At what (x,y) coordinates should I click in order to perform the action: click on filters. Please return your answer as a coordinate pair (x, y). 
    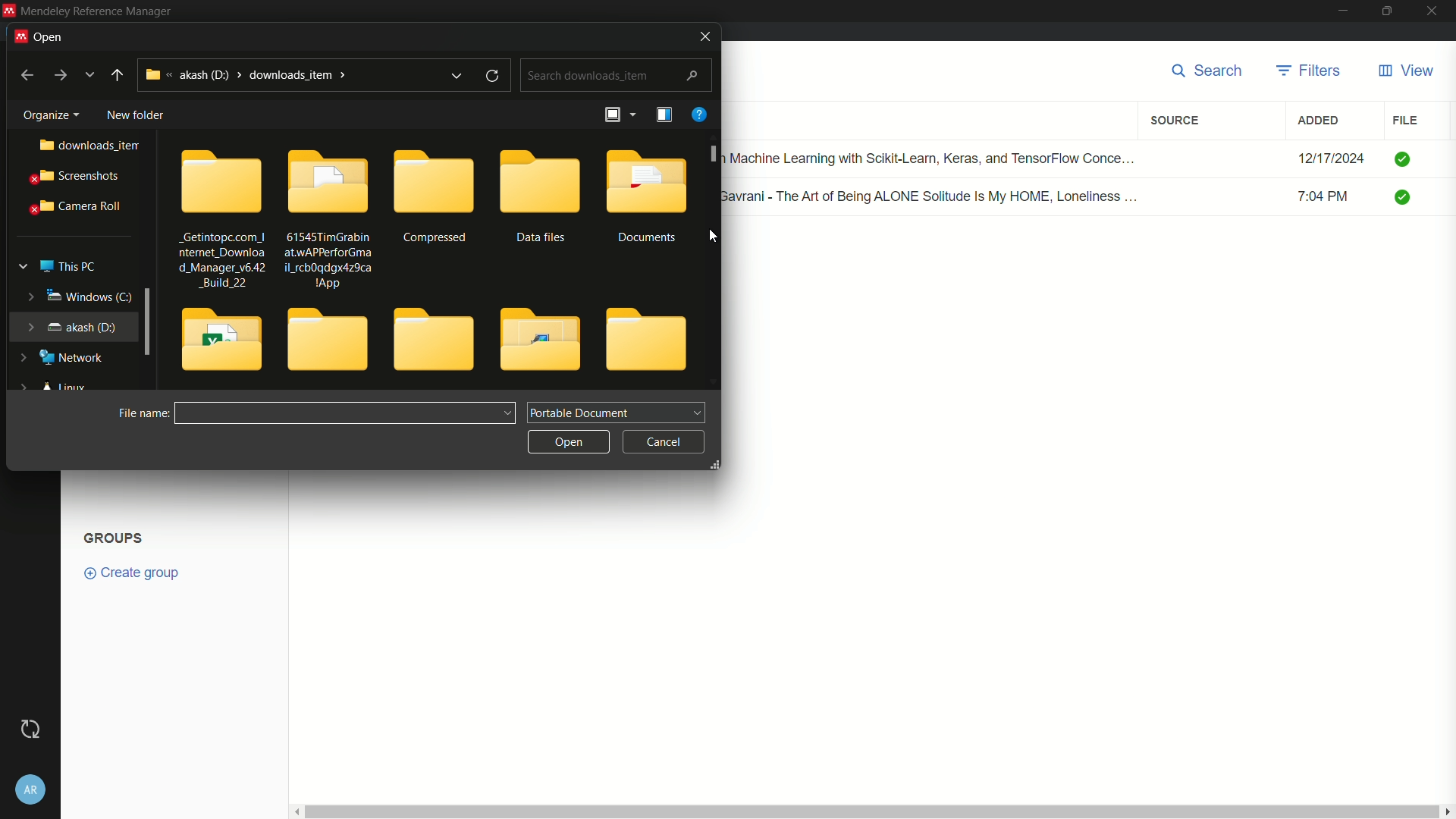
    Looking at the image, I should click on (1310, 71).